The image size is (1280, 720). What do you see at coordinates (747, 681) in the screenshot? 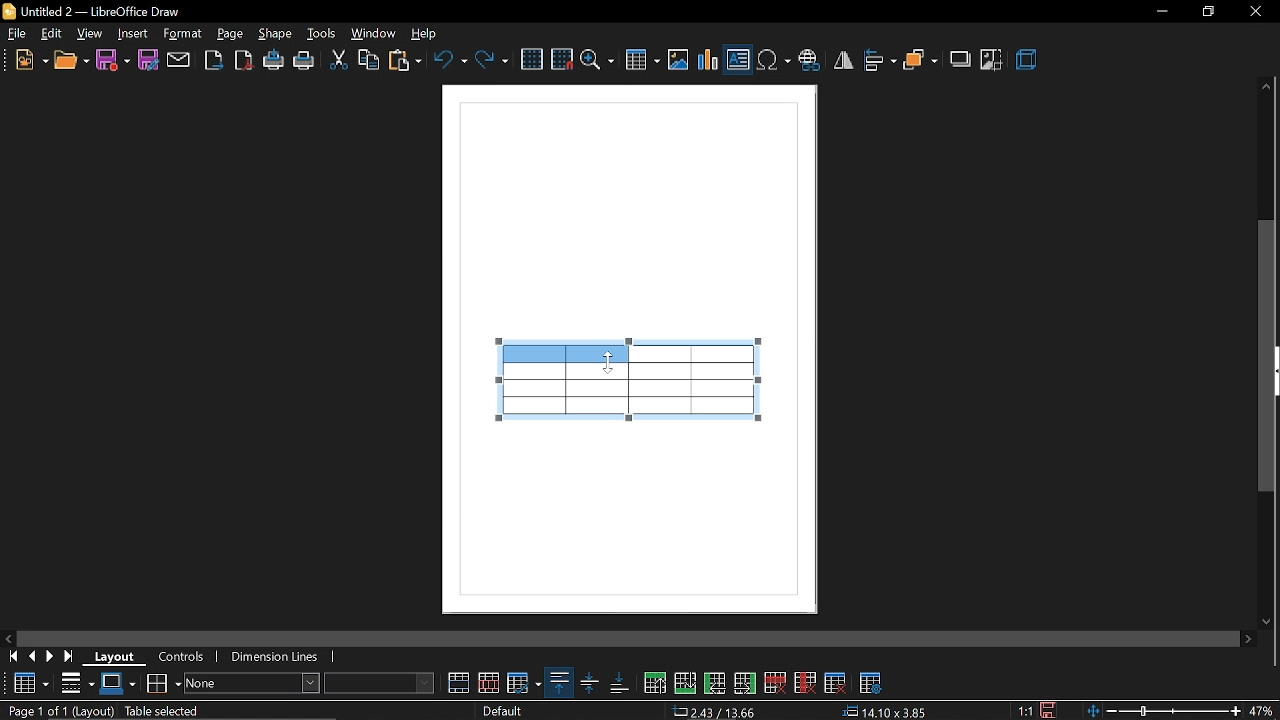
I see `insert column after` at bounding box center [747, 681].